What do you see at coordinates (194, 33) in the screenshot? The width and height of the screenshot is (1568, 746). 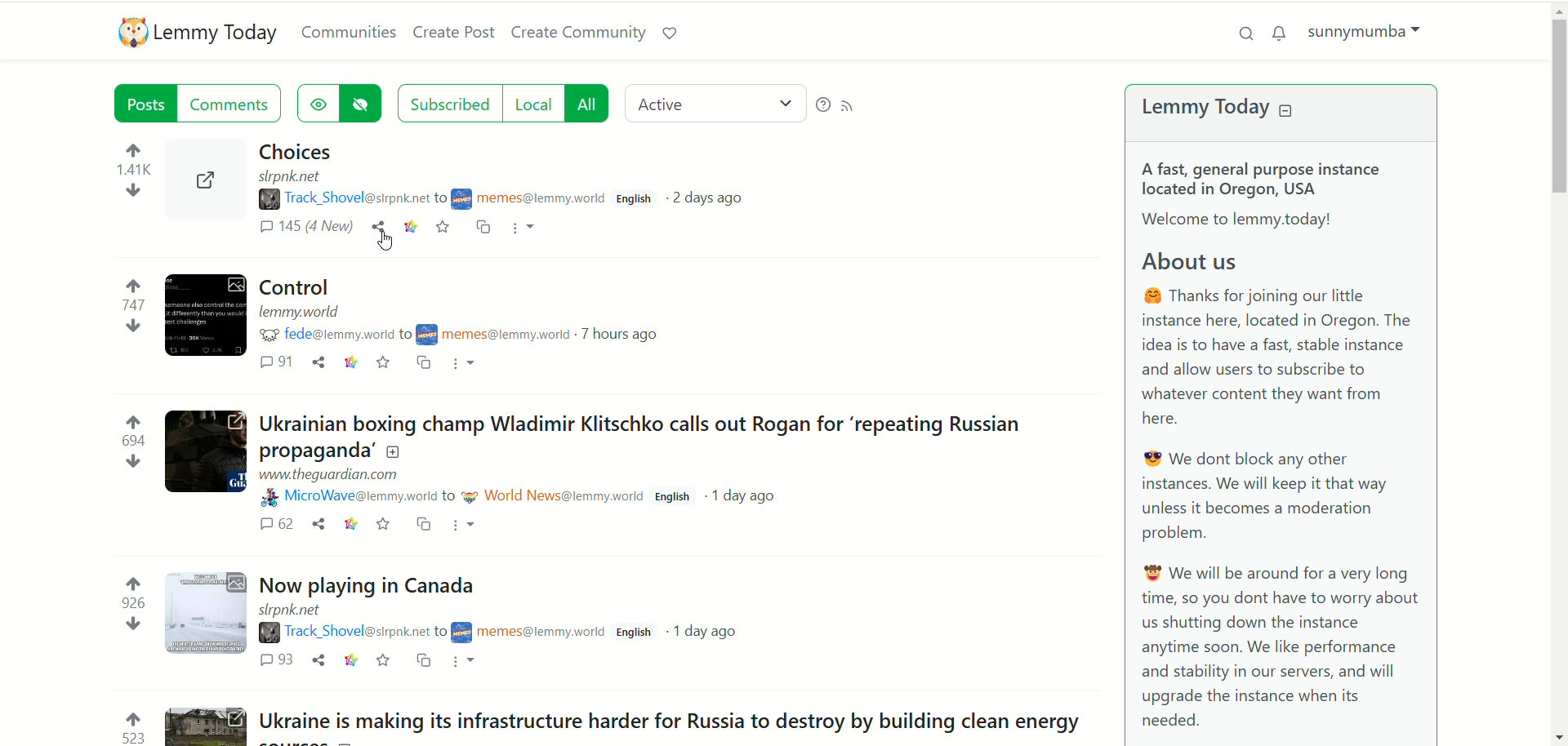 I see `lemmy today logo and name` at bounding box center [194, 33].